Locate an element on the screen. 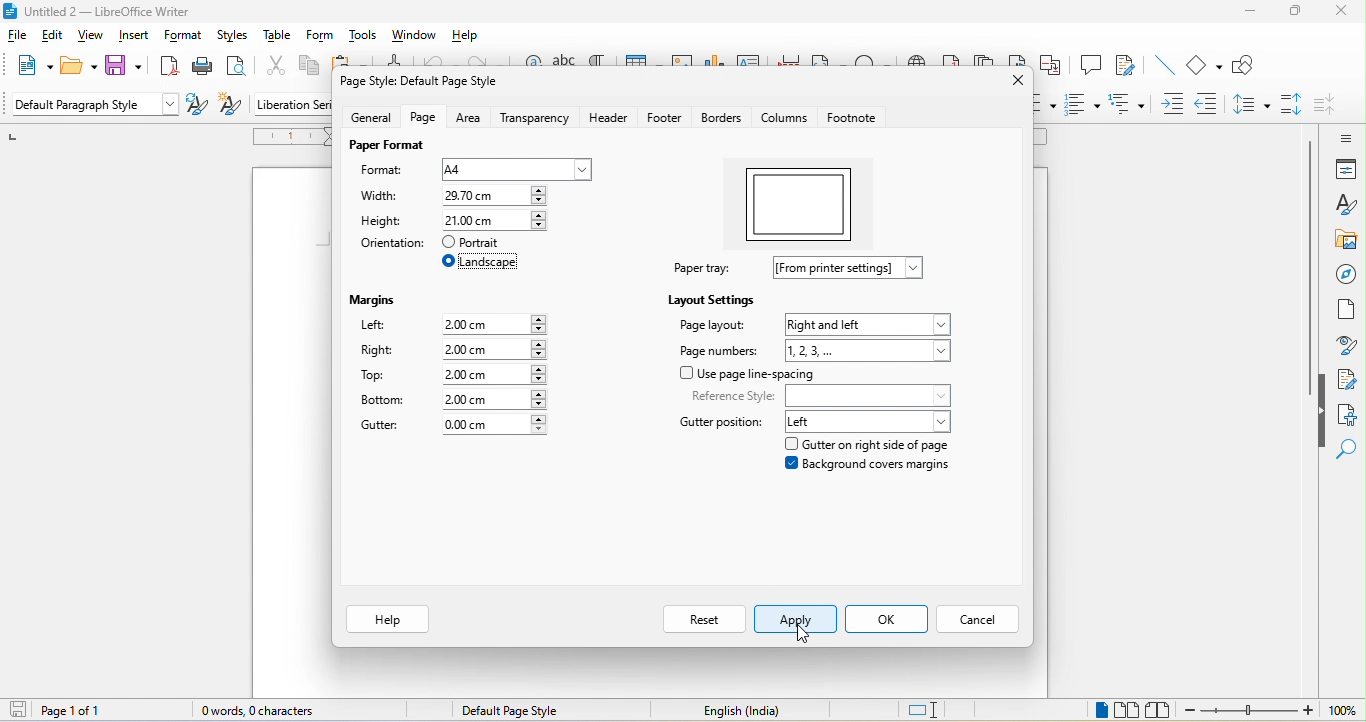  columns is located at coordinates (782, 117).